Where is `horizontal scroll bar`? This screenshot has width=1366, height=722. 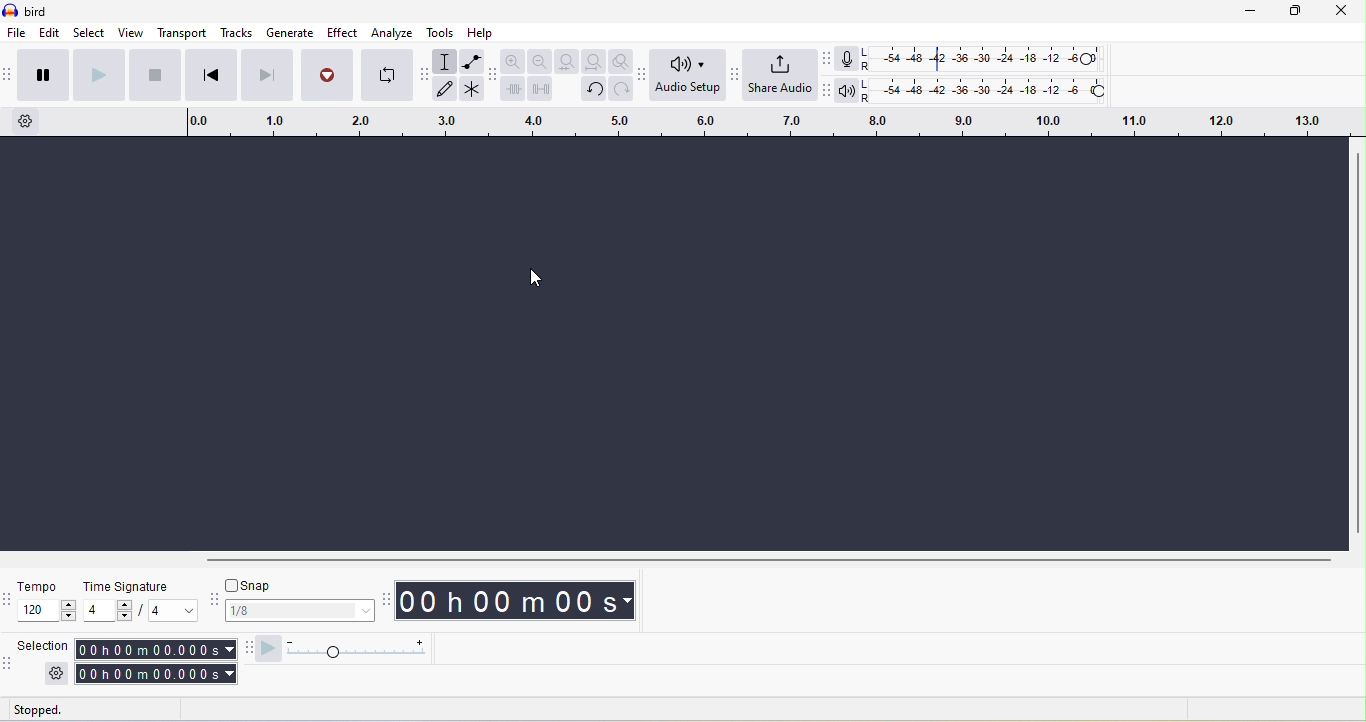 horizontal scroll bar is located at coordinates (765, 562).